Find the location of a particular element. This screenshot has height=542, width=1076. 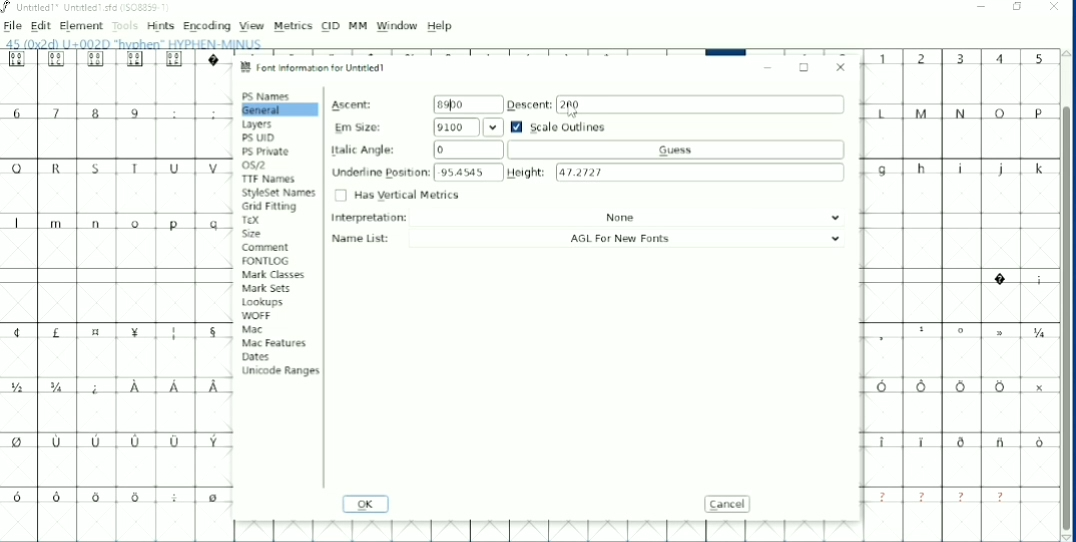

View is located at coordinates (252, 26).